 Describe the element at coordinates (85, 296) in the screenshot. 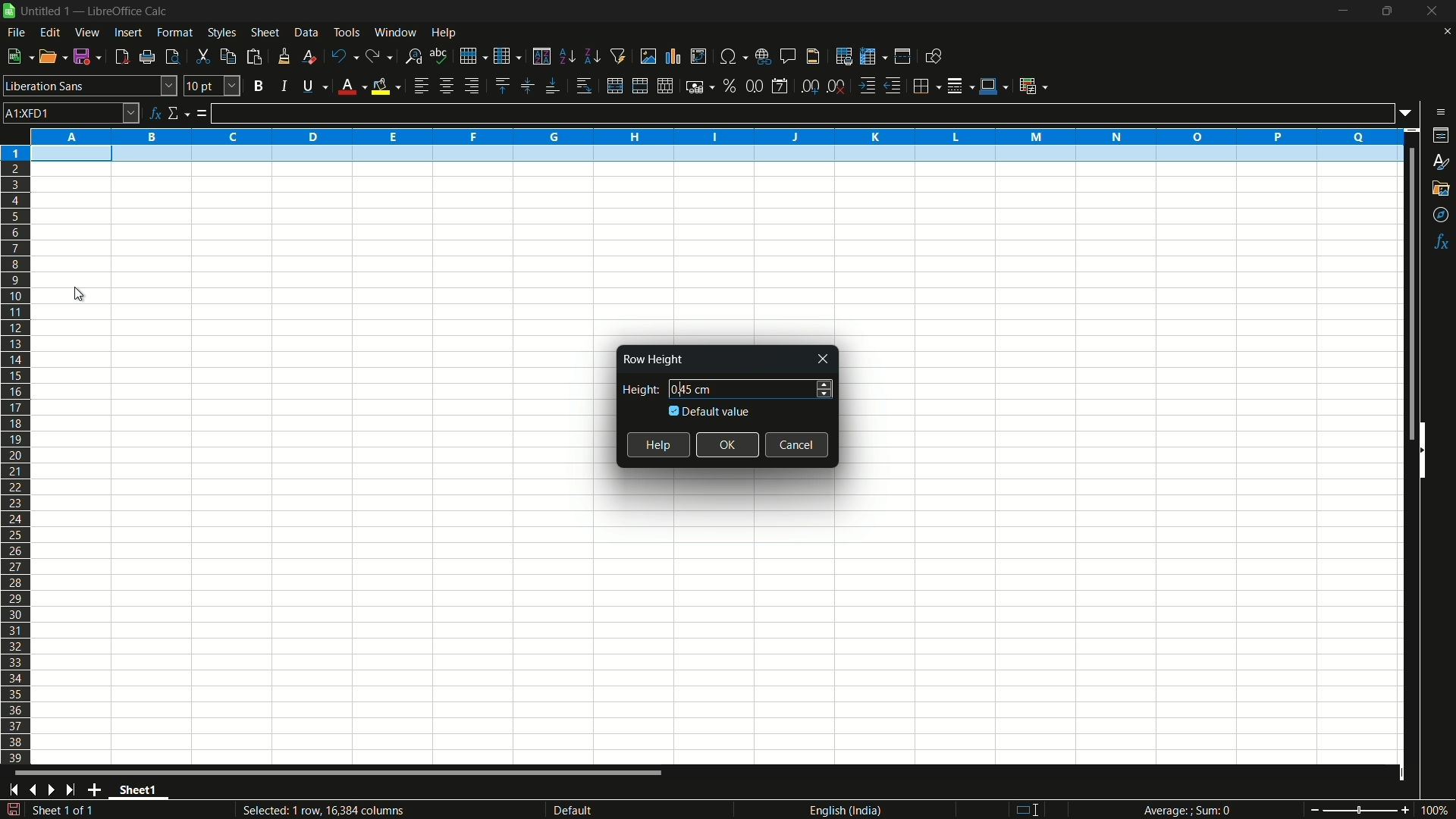

I see `cursor` at that location.